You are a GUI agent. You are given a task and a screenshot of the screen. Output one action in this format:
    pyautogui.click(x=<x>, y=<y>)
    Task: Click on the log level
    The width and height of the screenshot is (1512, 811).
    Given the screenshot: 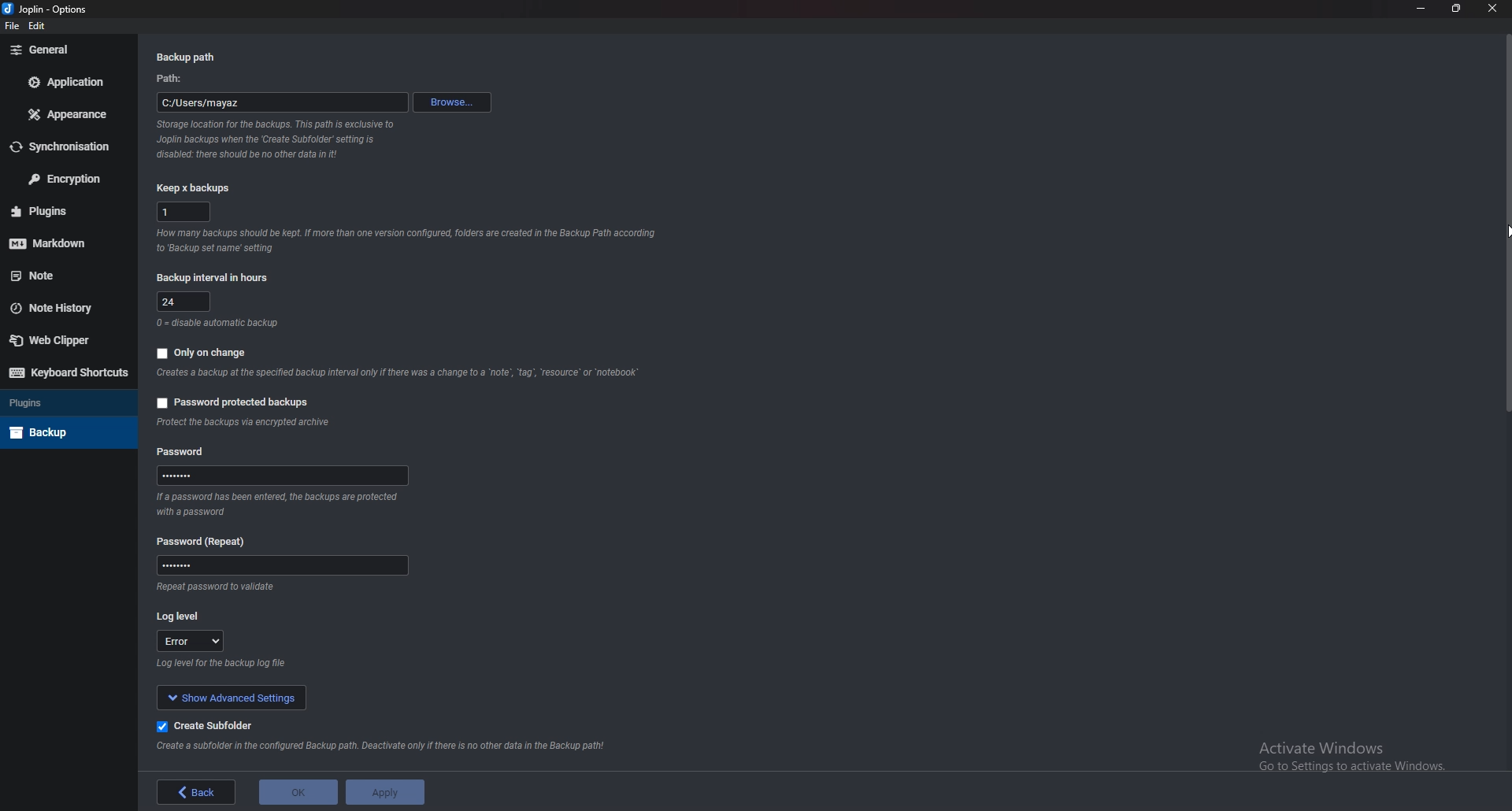 What is the action you would take?
    pyautogui.click(x=183, y=616)
    